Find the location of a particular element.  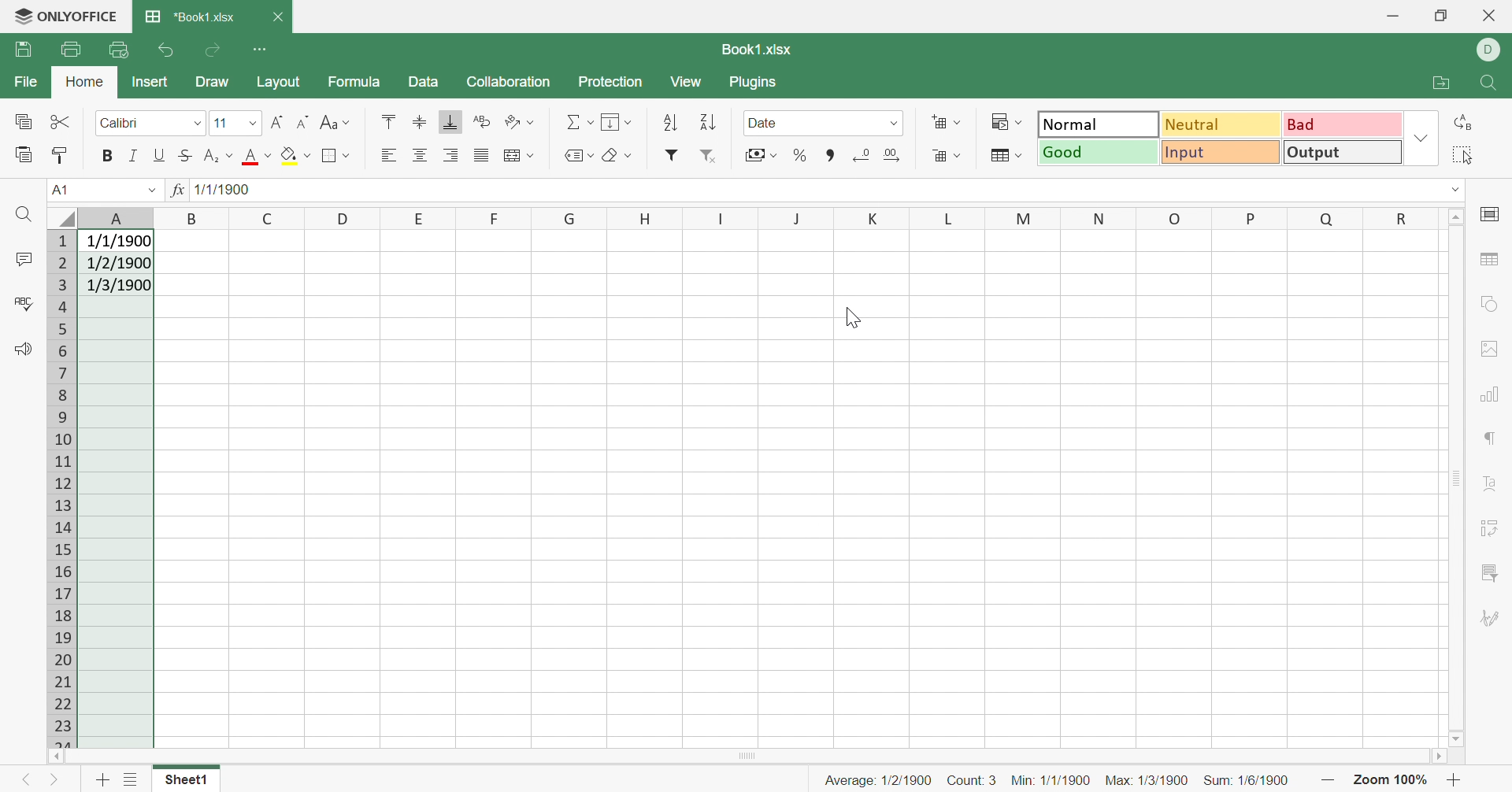

Conditional formatting is located at coordinates (1002, 120).